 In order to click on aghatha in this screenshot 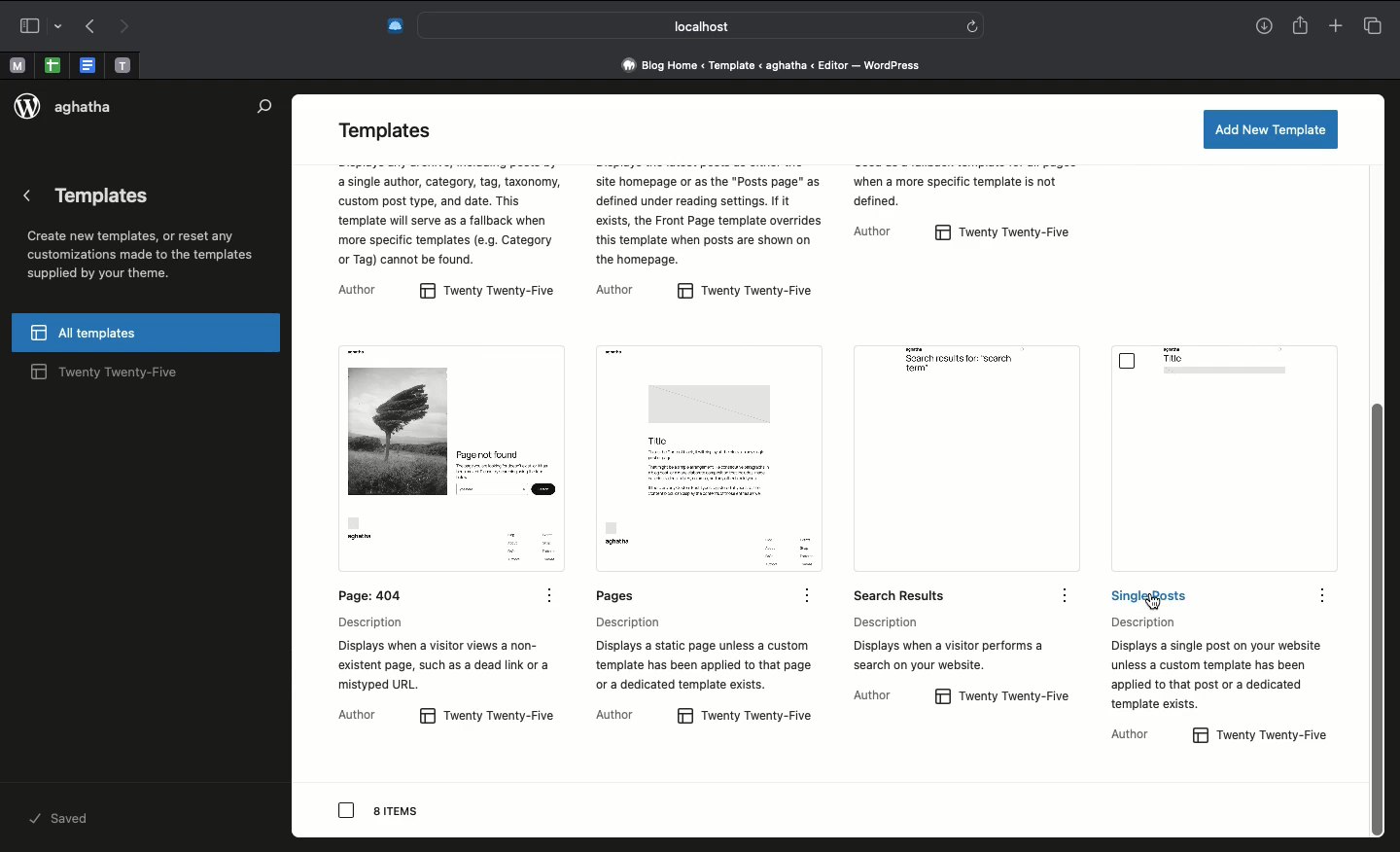, I will do `click(87, 108)`.